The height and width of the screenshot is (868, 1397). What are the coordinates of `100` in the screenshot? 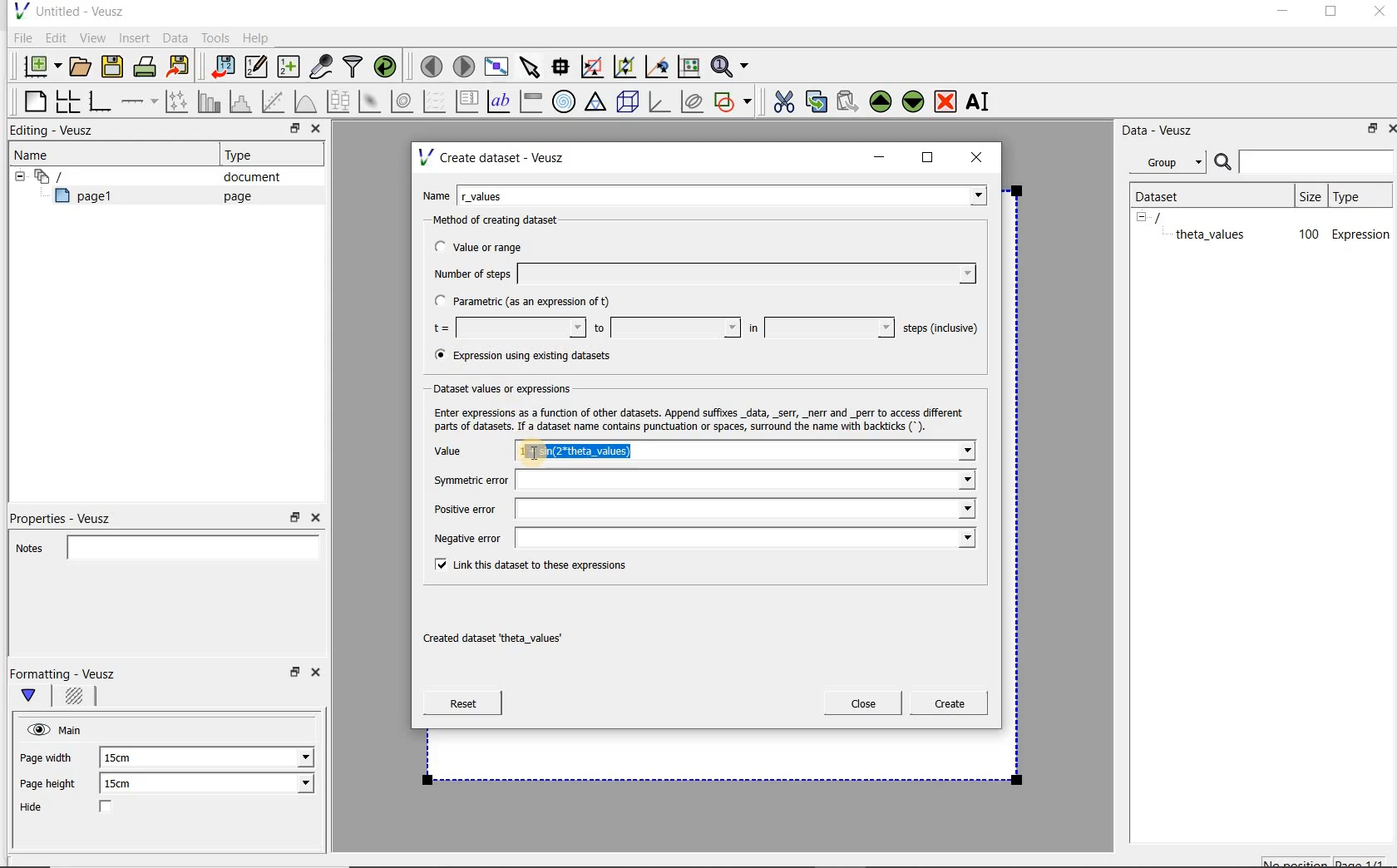 It's located at (1307, 235).